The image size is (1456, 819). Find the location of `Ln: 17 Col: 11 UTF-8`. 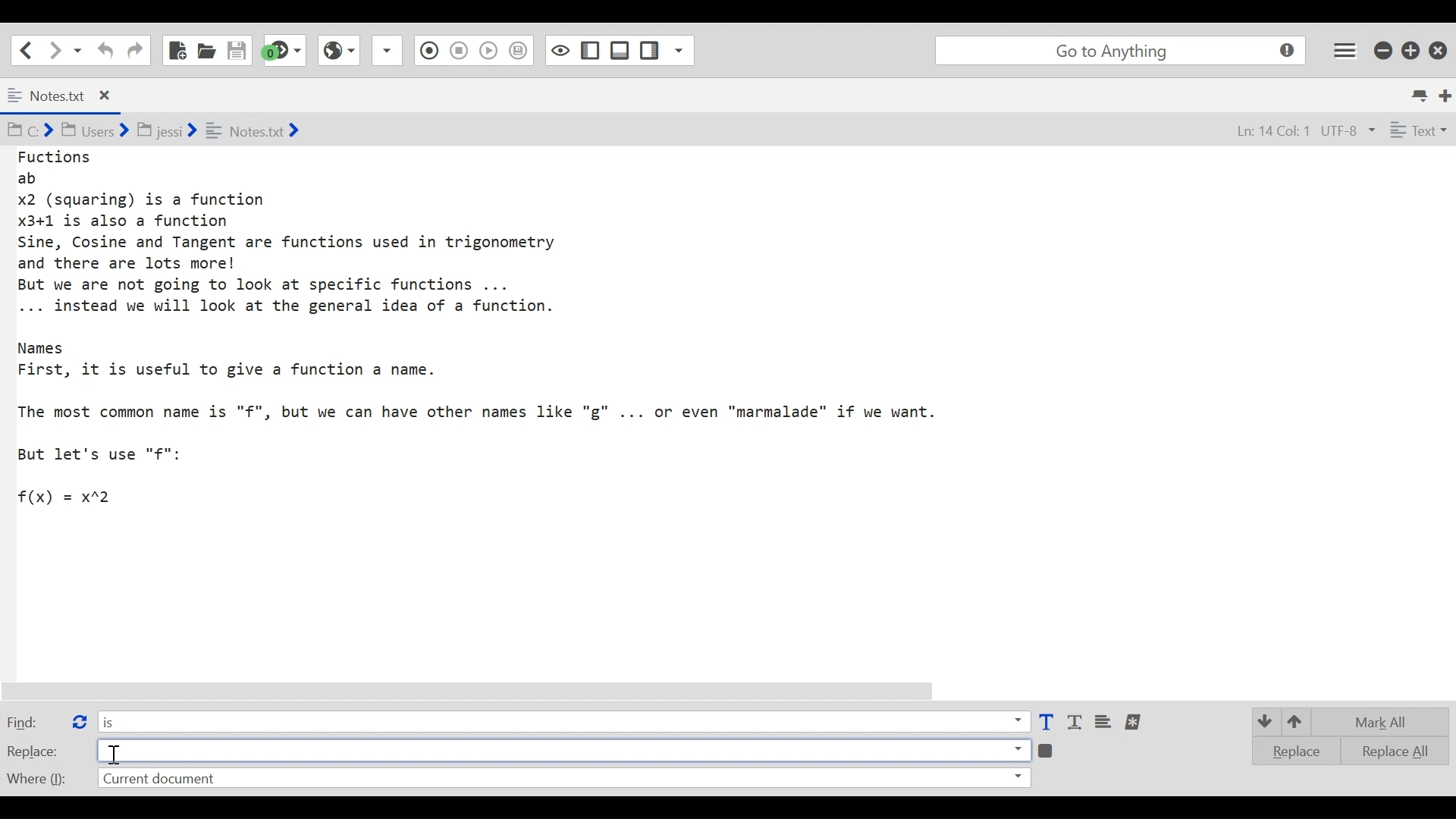

Ln: 17 Col: 11 UTF-8 is located at coordinates (1288, 132).